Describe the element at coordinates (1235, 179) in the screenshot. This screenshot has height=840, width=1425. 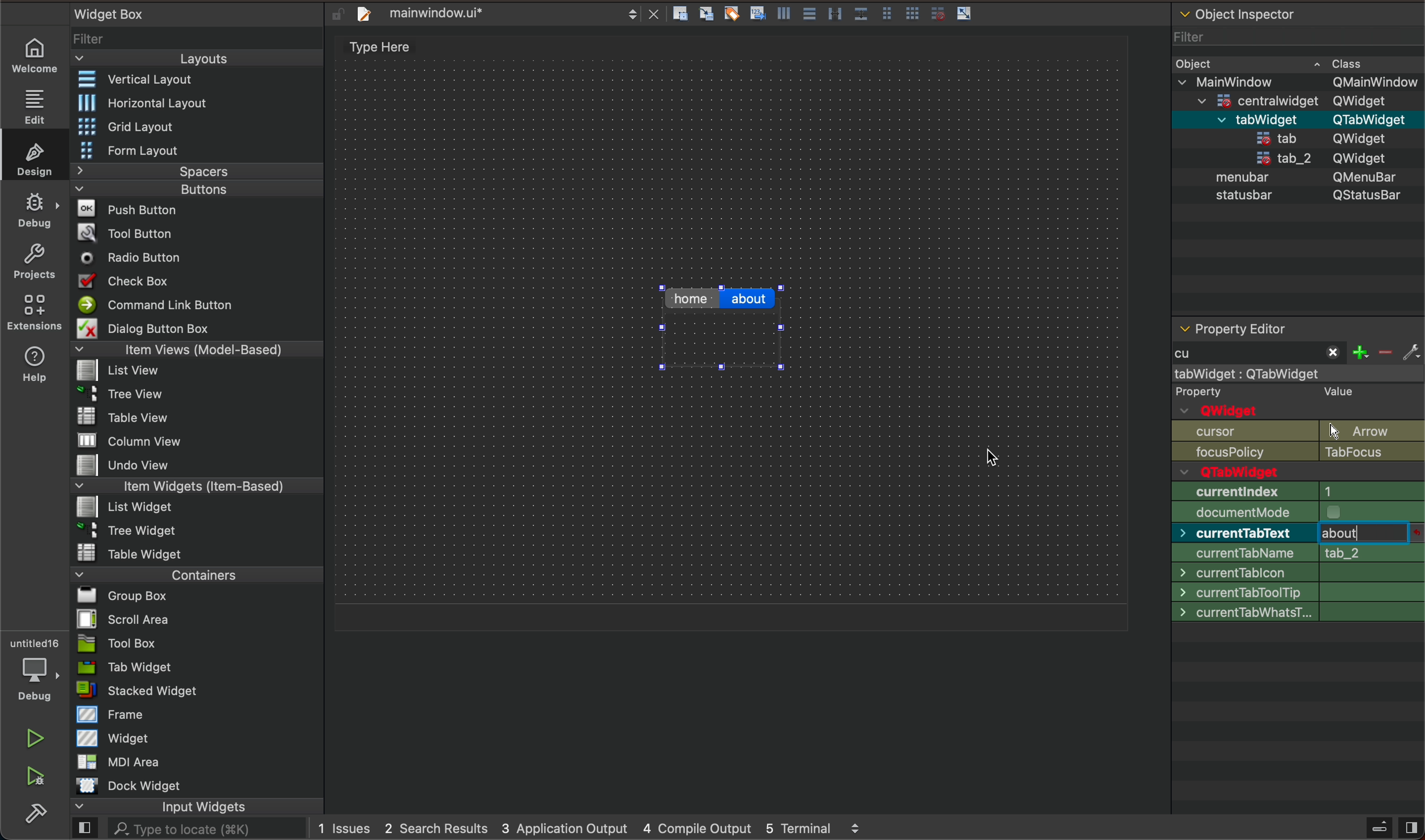
I see `menubar` at that location.